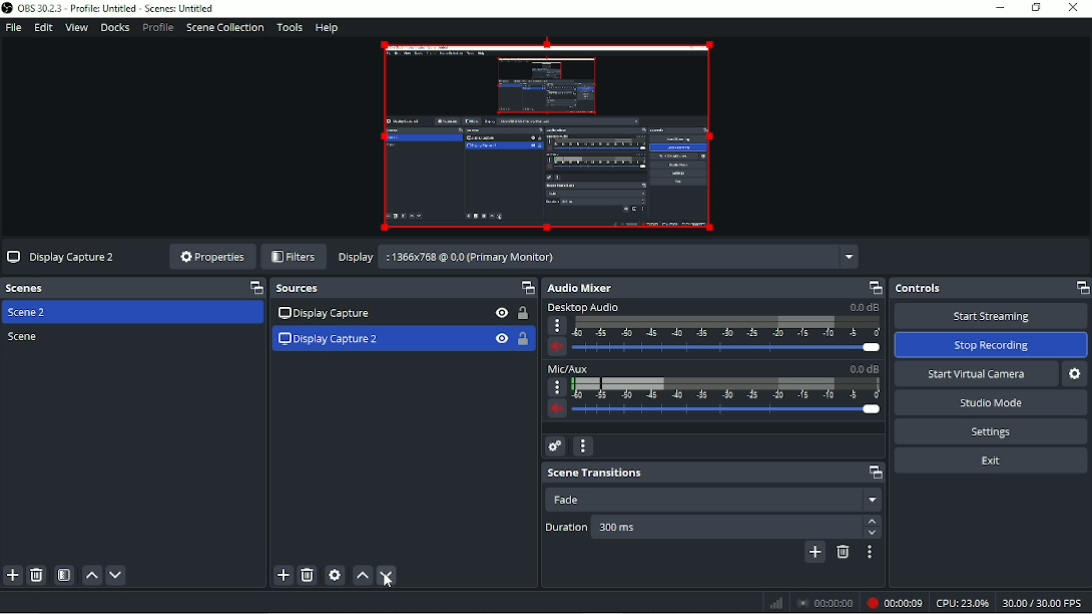  What do you see at coordinates (403, 289) in the screenshot?
I see `Sources` at bounding box center [403, 289].